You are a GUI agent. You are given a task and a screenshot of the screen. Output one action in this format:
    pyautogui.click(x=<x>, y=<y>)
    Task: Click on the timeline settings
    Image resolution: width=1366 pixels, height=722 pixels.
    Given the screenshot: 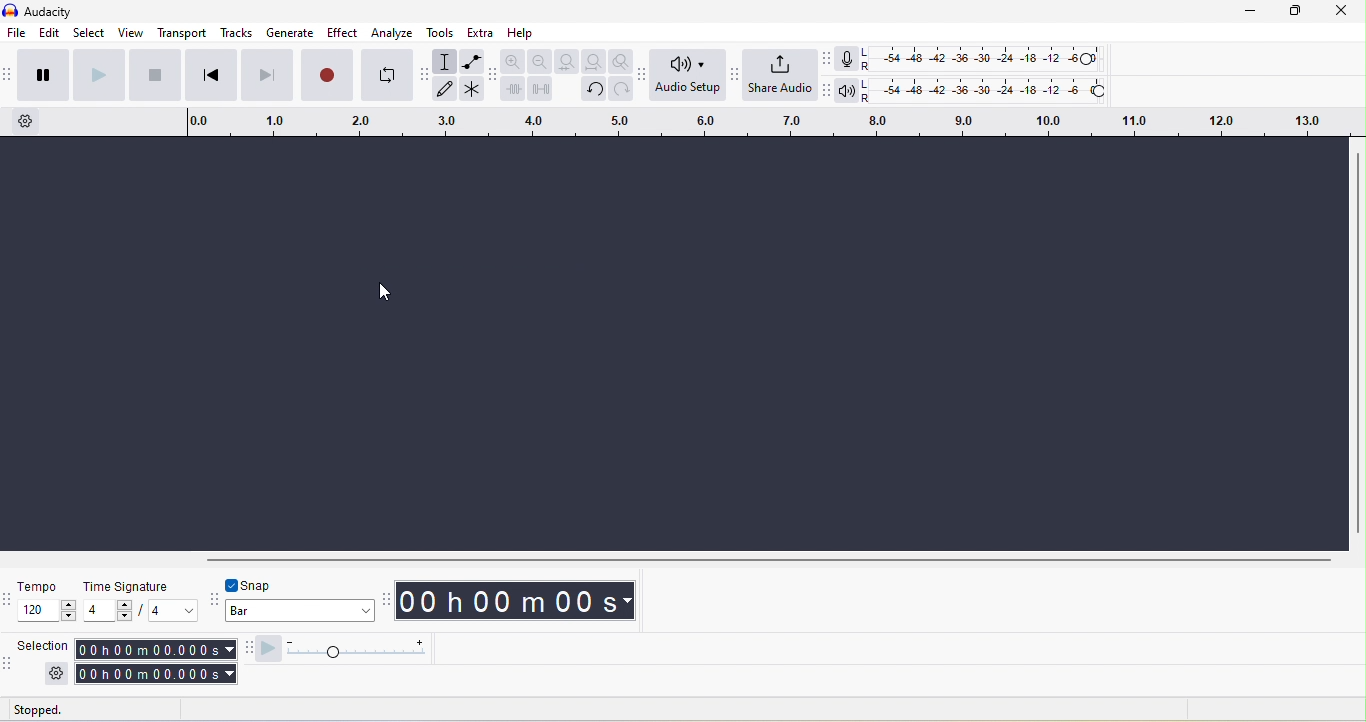 What is the action you would take?
    pyautogui.click(x=26, y=121)
    